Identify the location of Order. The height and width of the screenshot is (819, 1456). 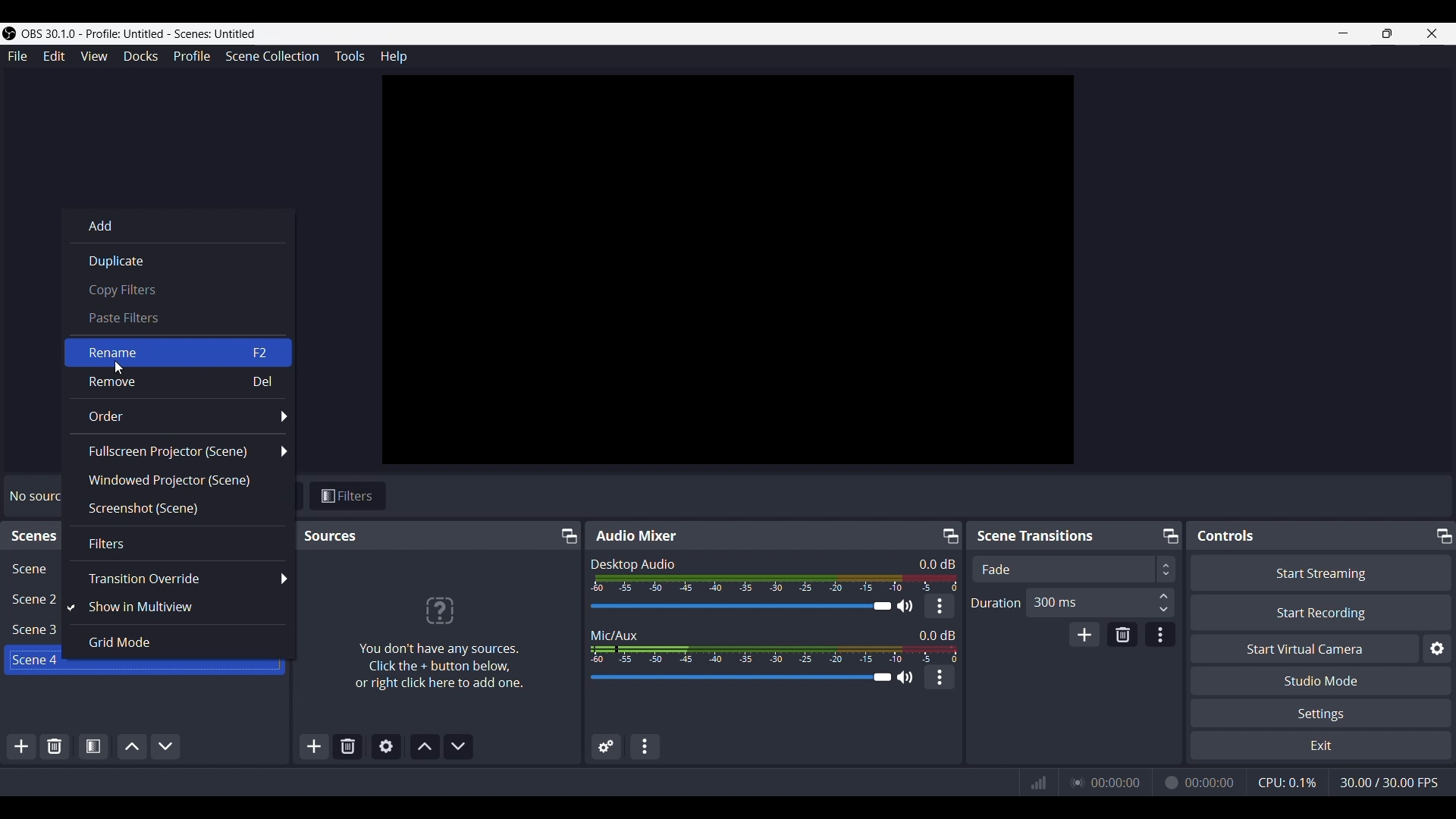
(191, 417).